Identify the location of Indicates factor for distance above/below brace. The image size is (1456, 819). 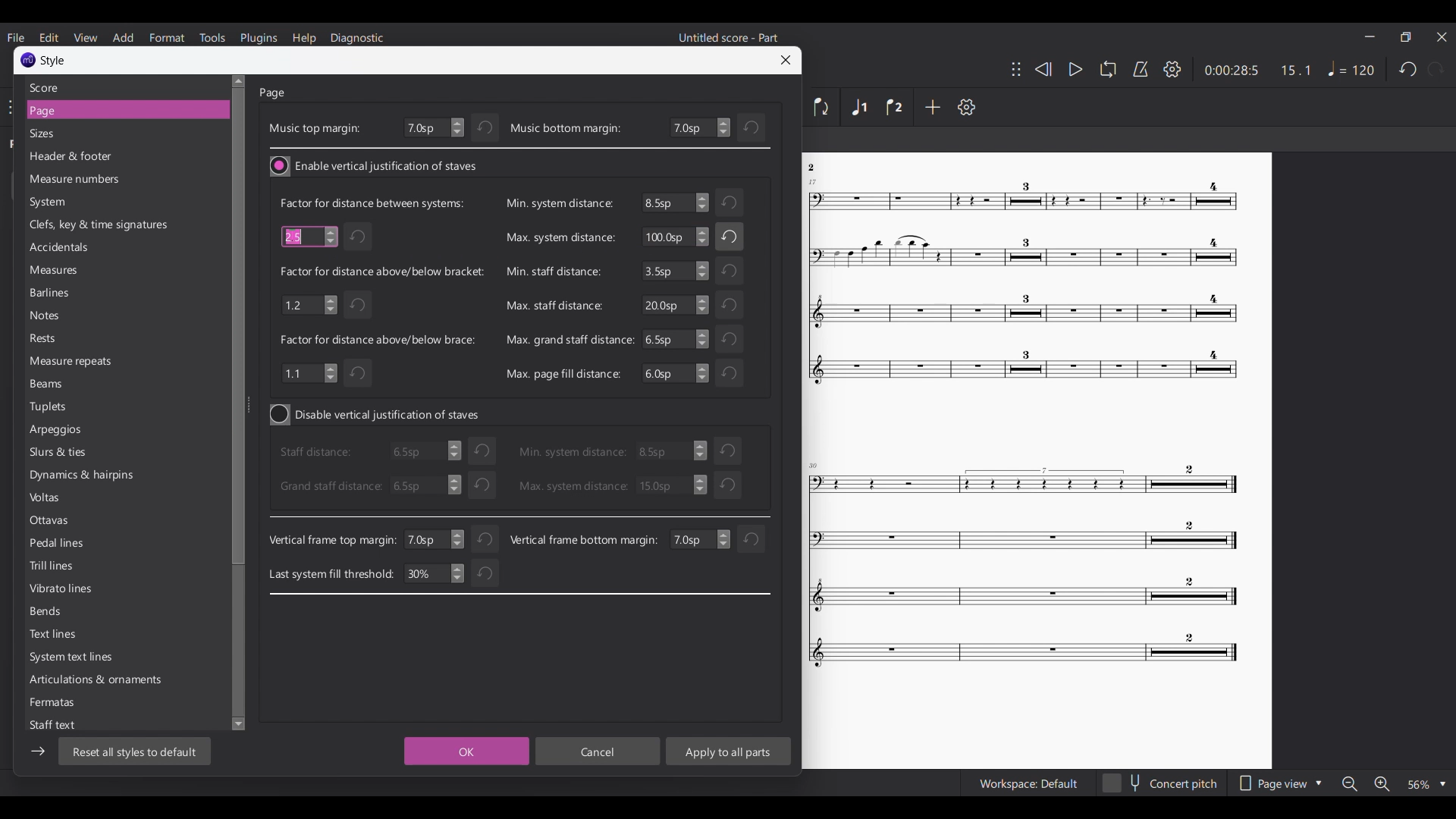
(379, 340).